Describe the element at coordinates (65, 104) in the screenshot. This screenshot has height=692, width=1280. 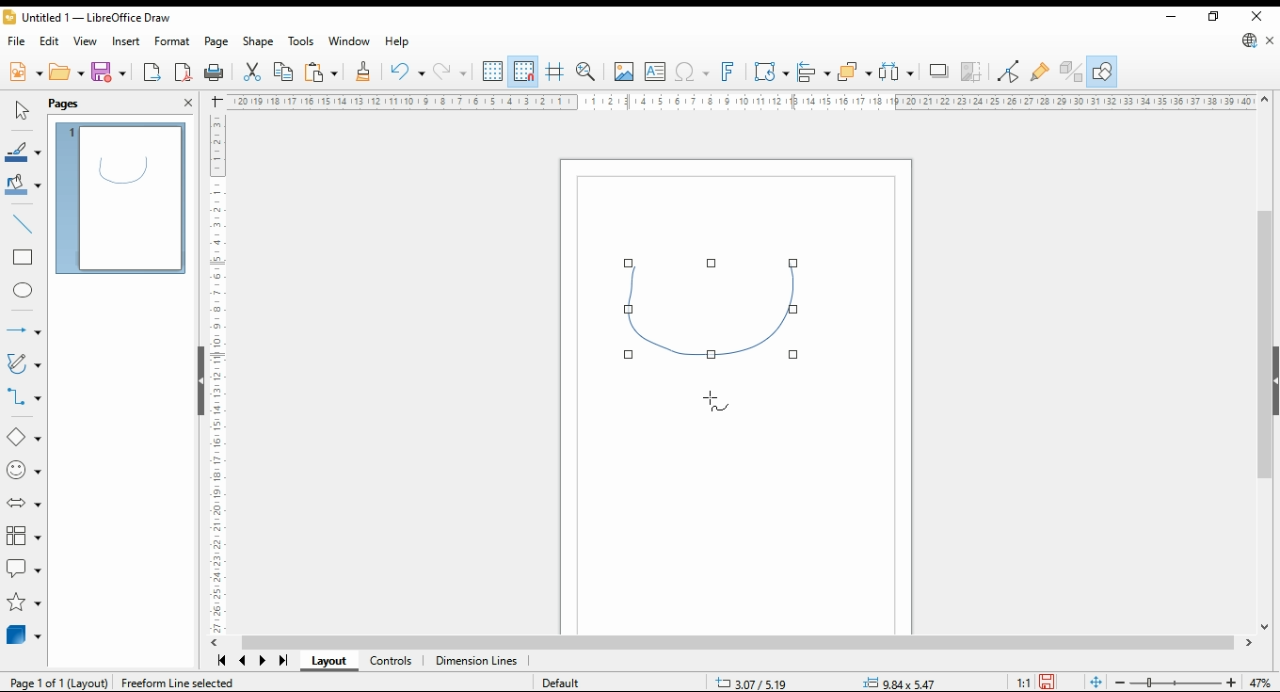
I see `pages` at that location.